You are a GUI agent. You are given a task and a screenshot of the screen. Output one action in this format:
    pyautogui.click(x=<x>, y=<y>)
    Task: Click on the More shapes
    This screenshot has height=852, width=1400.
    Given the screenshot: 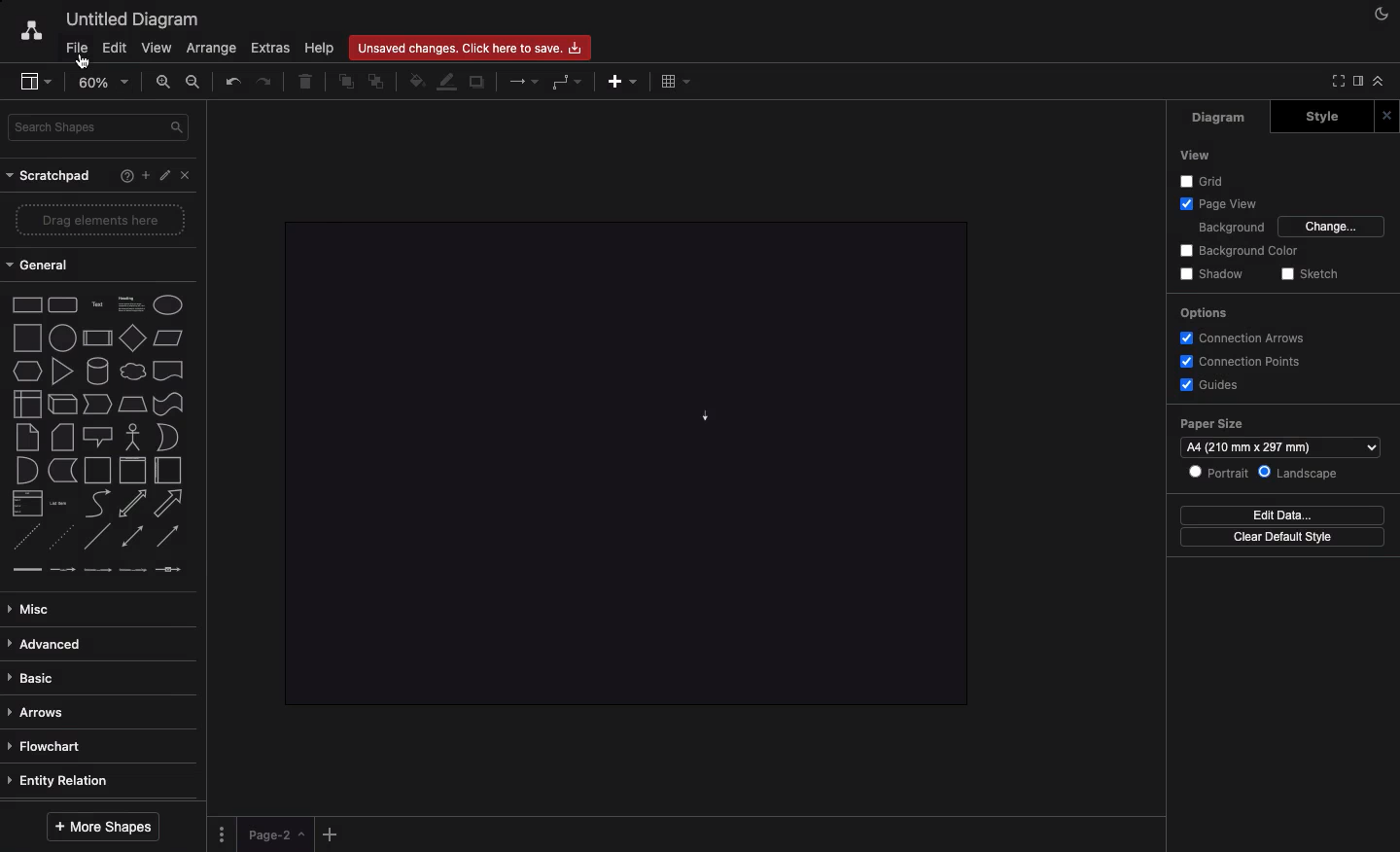 What is the action you would take?
    pyautogui.click(x=104, y=828)
    